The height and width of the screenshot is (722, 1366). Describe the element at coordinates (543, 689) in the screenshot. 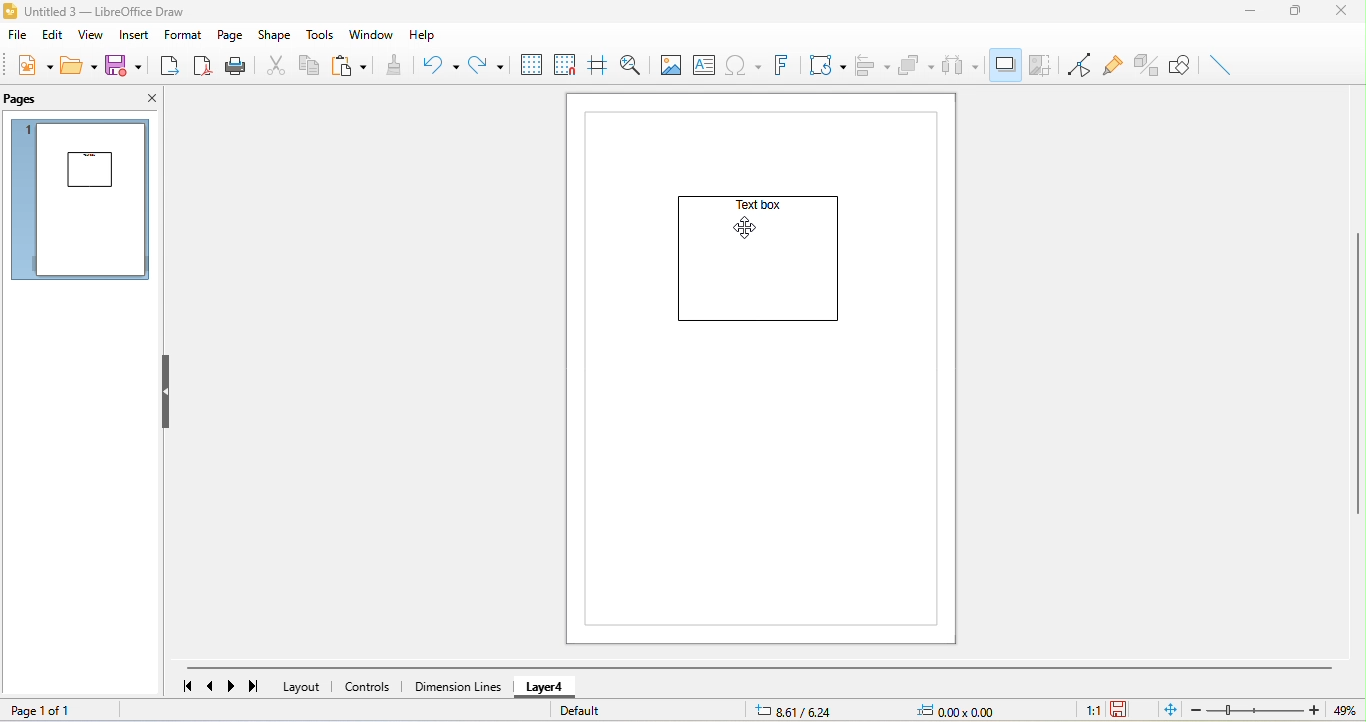

I see `layer 4` at that location.